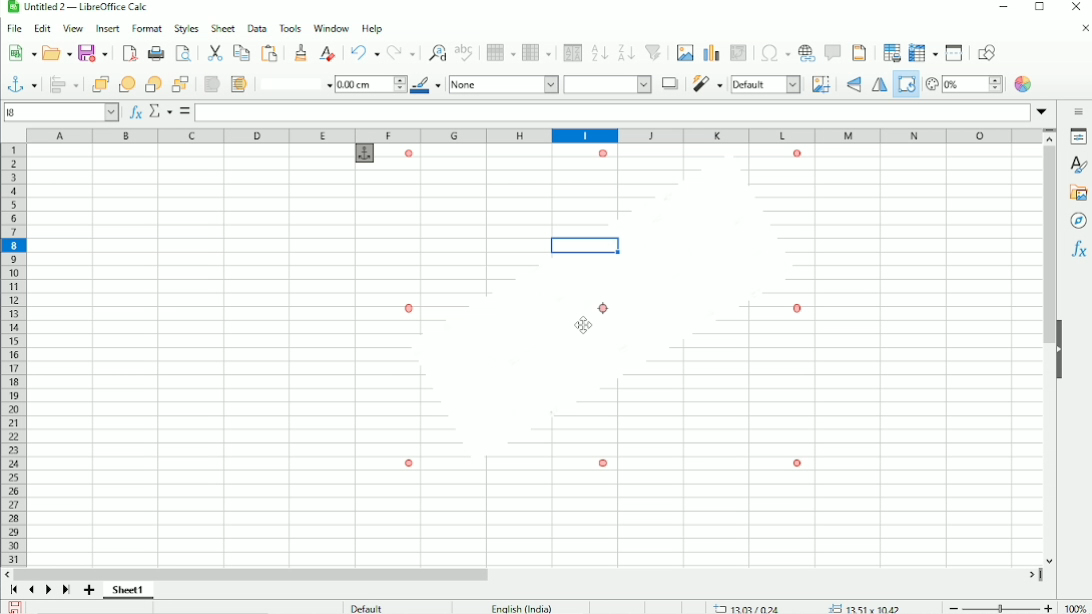  Describe the element at coordinates (599, 309) in the screenshot. I see `Image rotated` at that location.